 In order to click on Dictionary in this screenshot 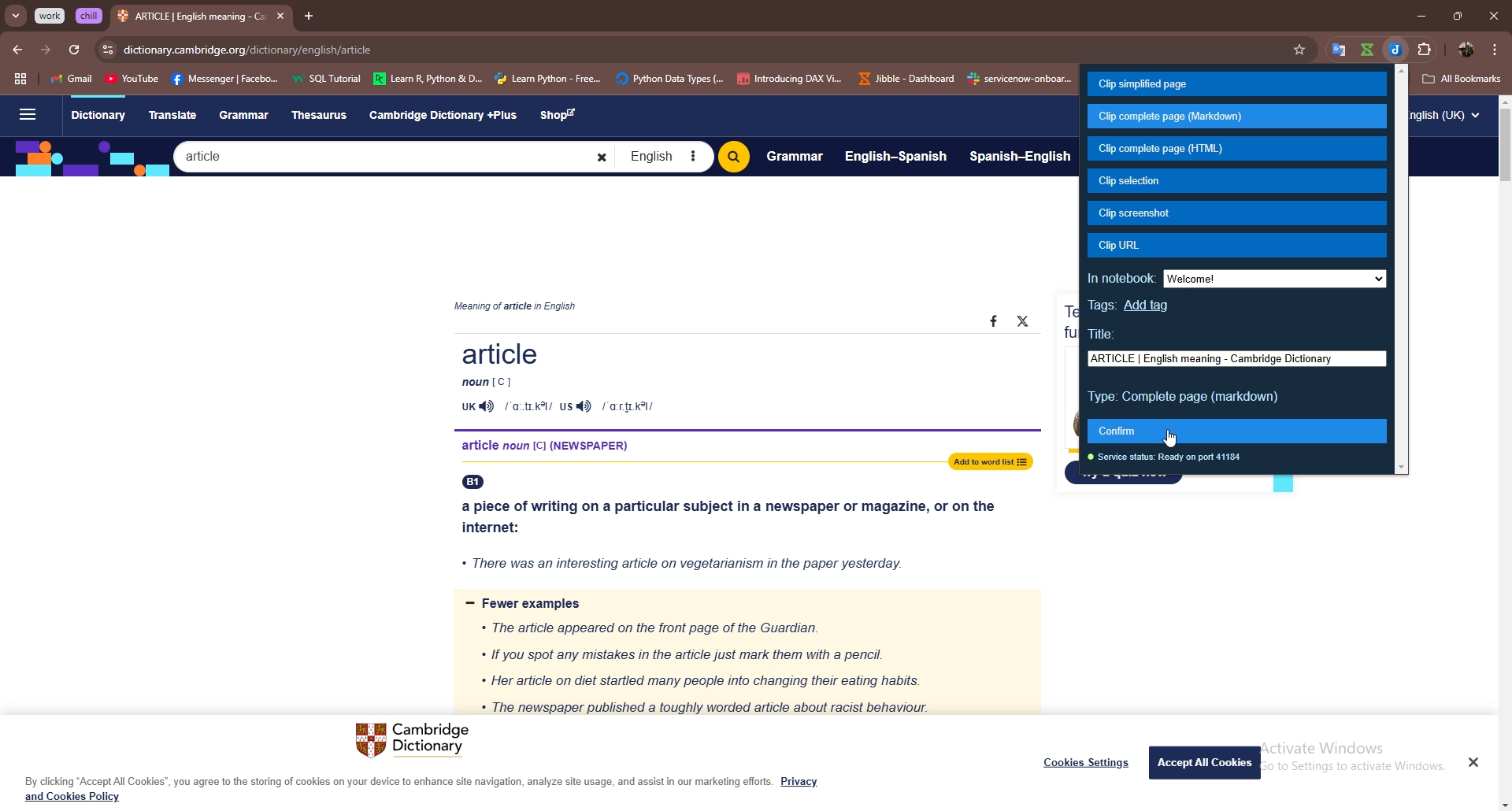, I will do `click(98, 117)`.